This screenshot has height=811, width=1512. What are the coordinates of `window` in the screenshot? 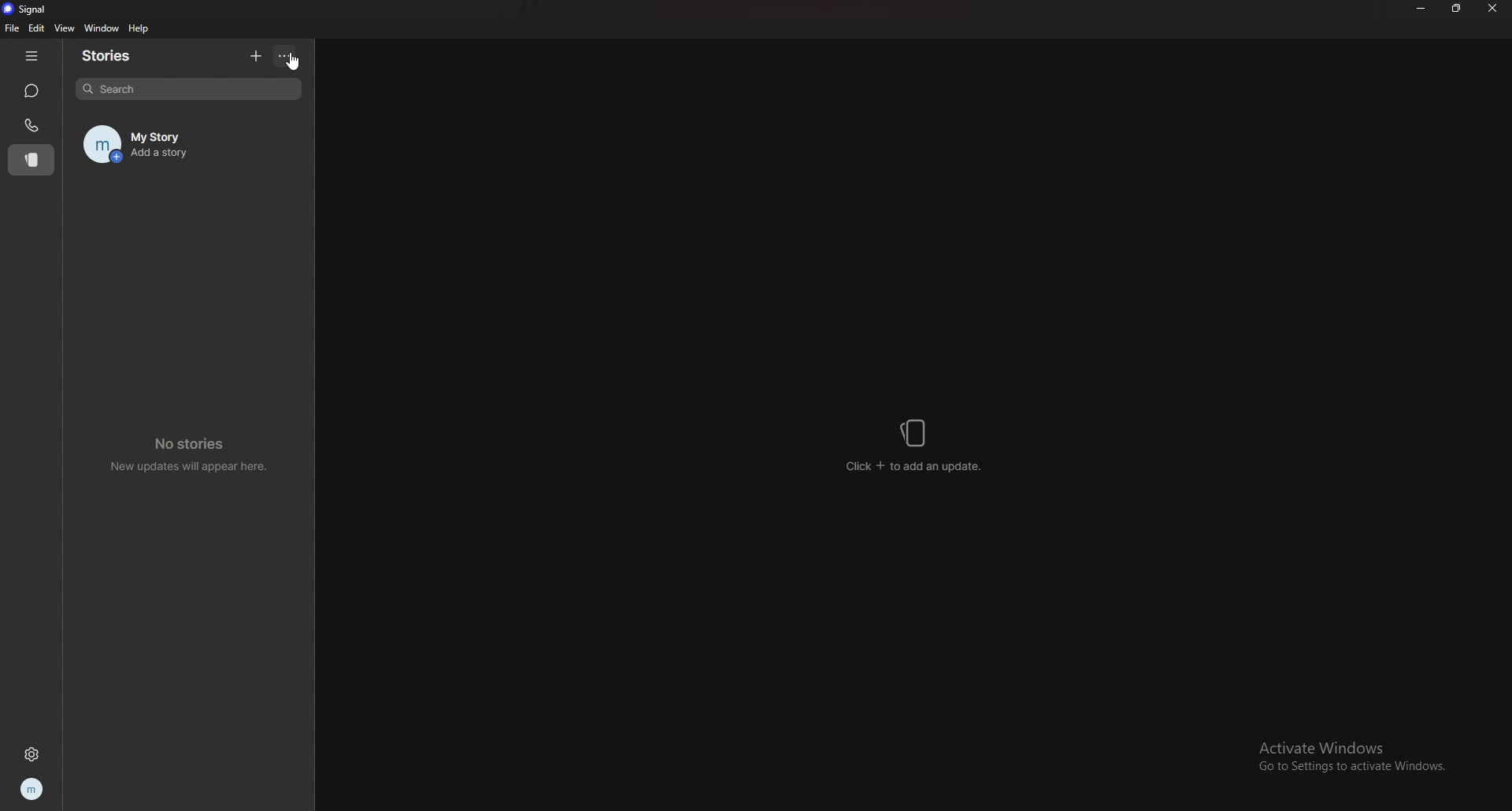 It's located at (100, 28).